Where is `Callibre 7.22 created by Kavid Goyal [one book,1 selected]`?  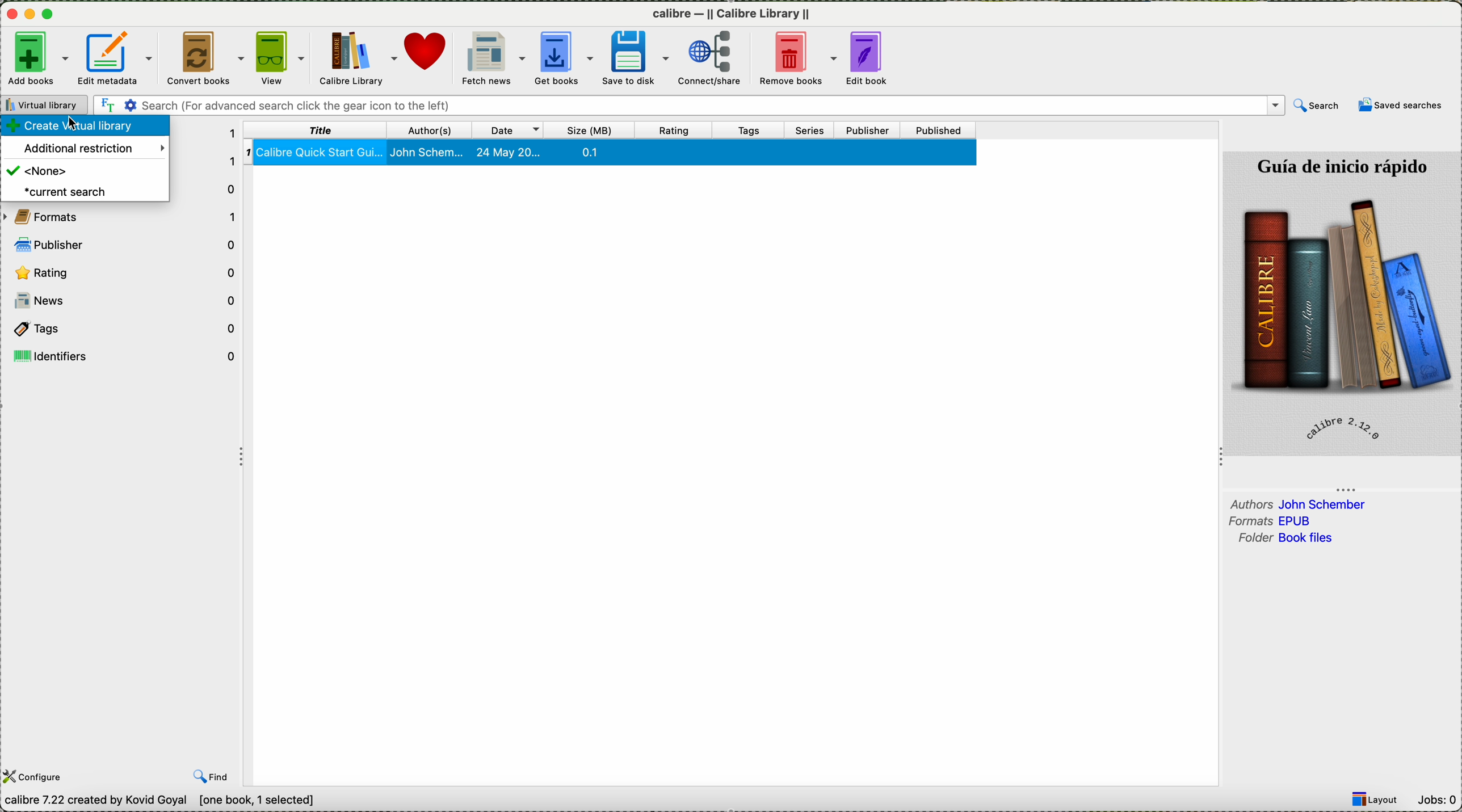
Callibre 7.22 created by Kavid Goyal [one book,1 selected] is located at coordinates (160, 801).